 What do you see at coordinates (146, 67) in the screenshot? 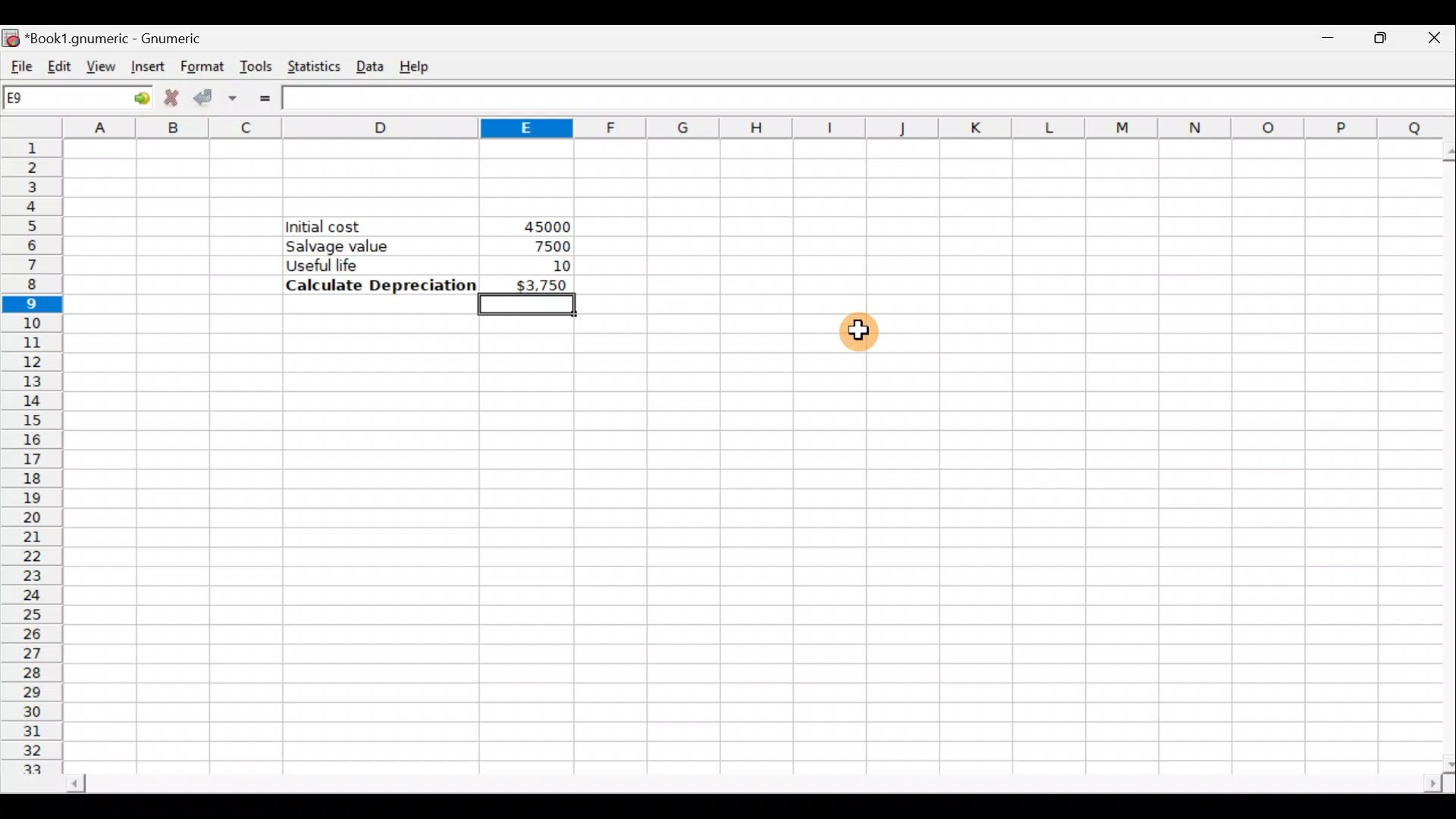
I see `Insert` at bounding box center [146, 67].